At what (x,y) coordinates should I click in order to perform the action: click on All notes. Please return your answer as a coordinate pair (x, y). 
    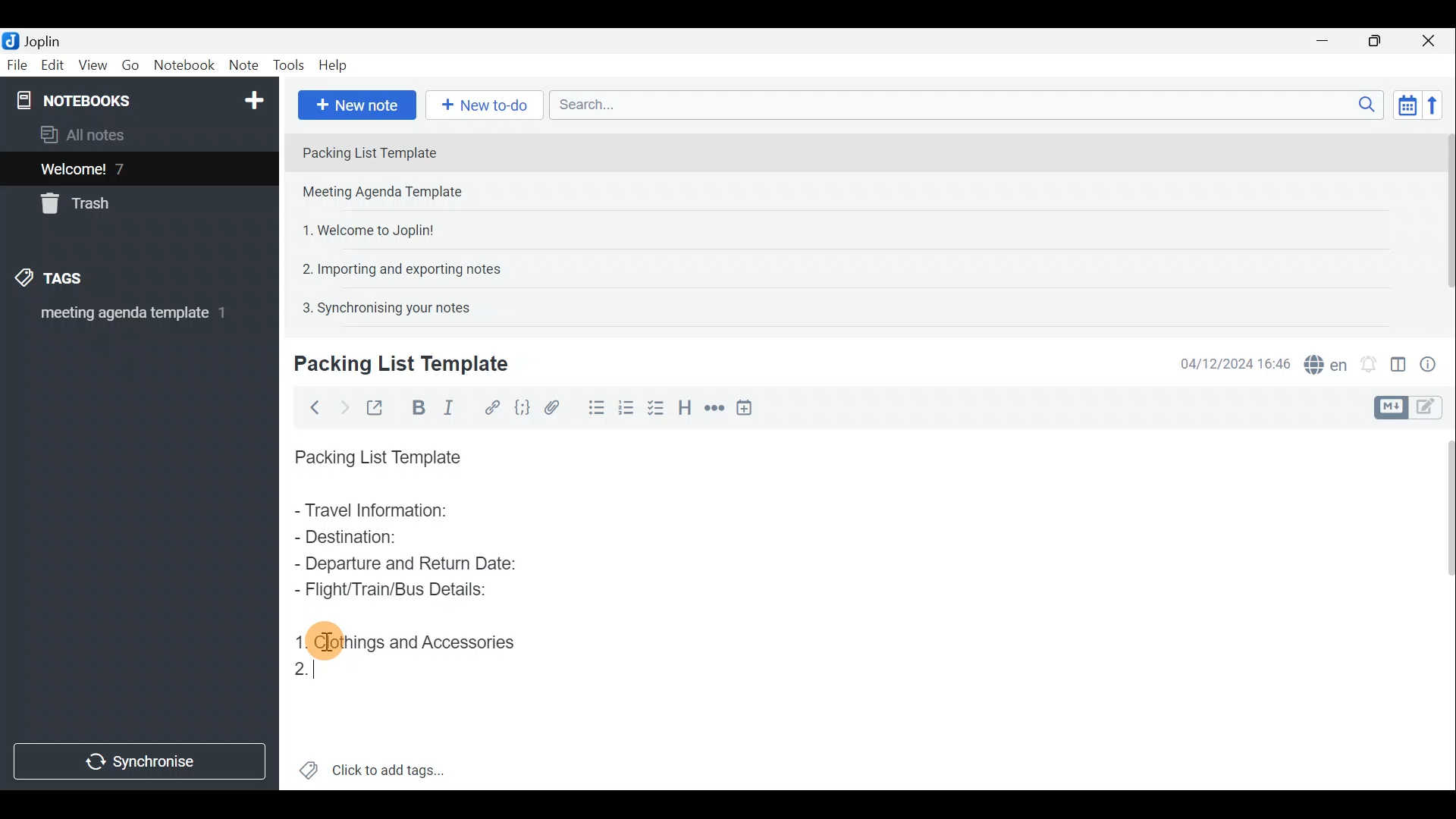
    Looking at the image, I should click on (88, 134).